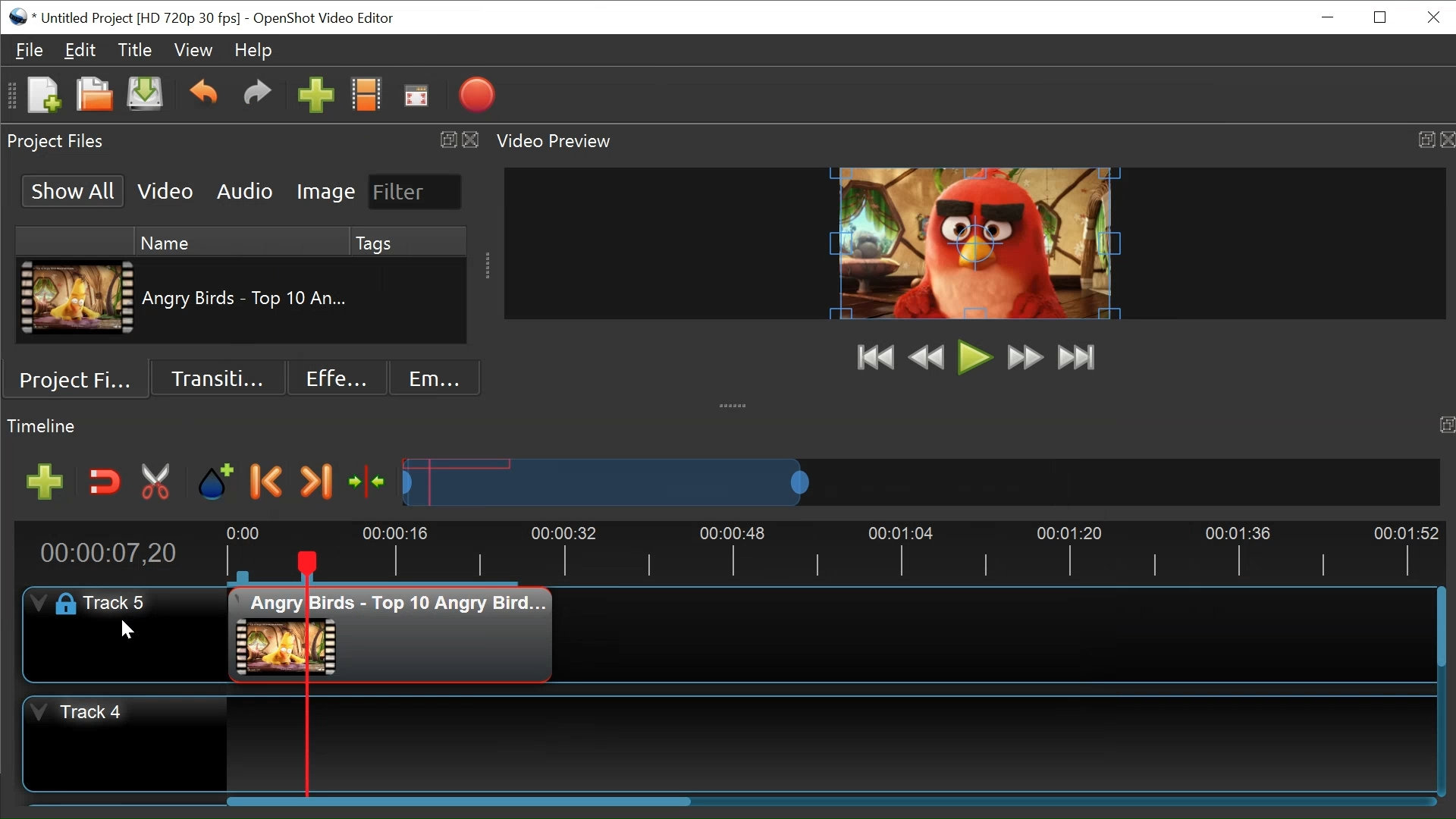 Image resolution: width=1456 pixels, height=819 pixels. What do you see at coordinates (107, 554) in the screenshot?
I see `Current Position` at bounding box center [107, 554].